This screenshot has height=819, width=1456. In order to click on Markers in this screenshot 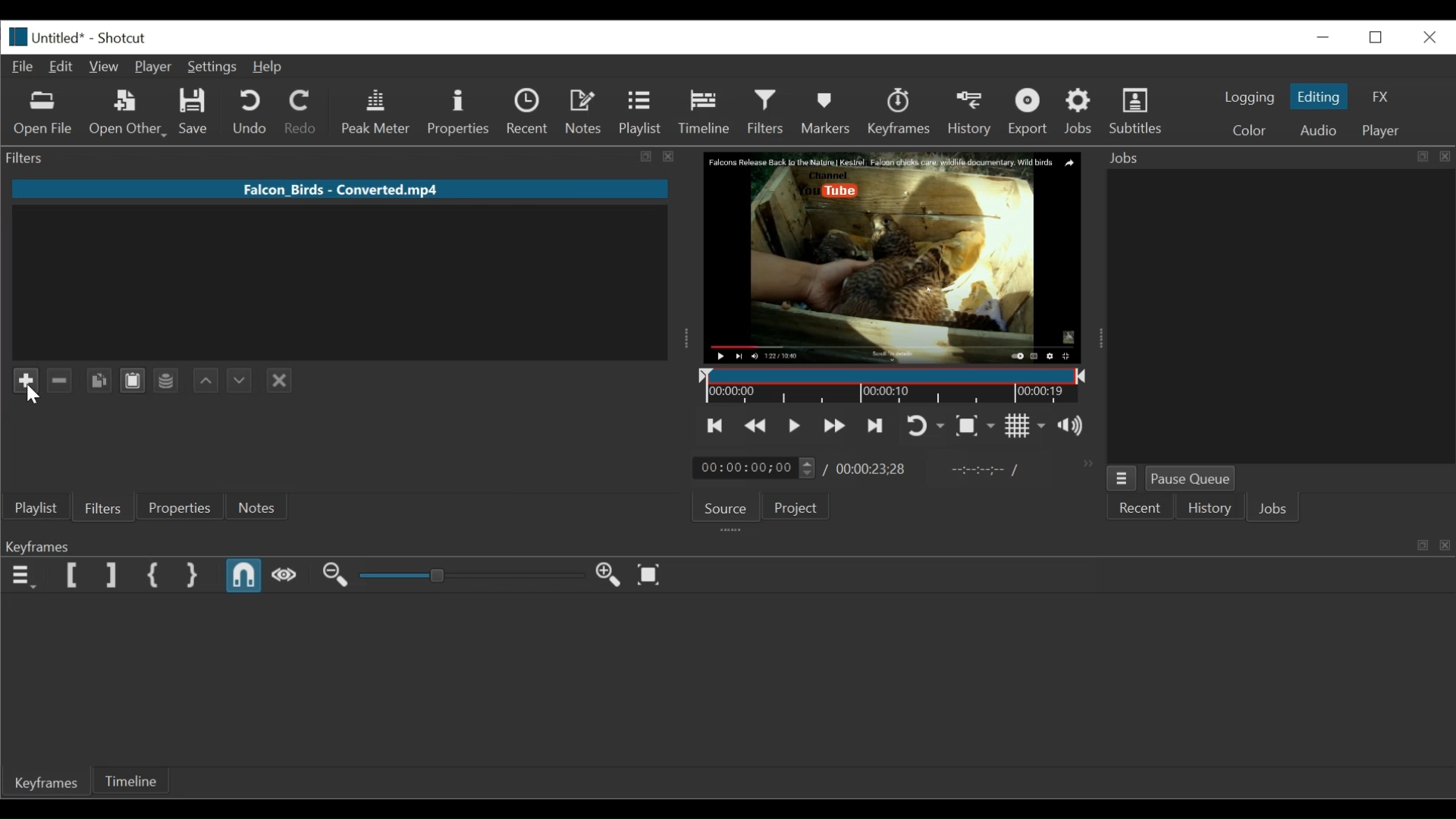, I will do `click(827, 111)`.